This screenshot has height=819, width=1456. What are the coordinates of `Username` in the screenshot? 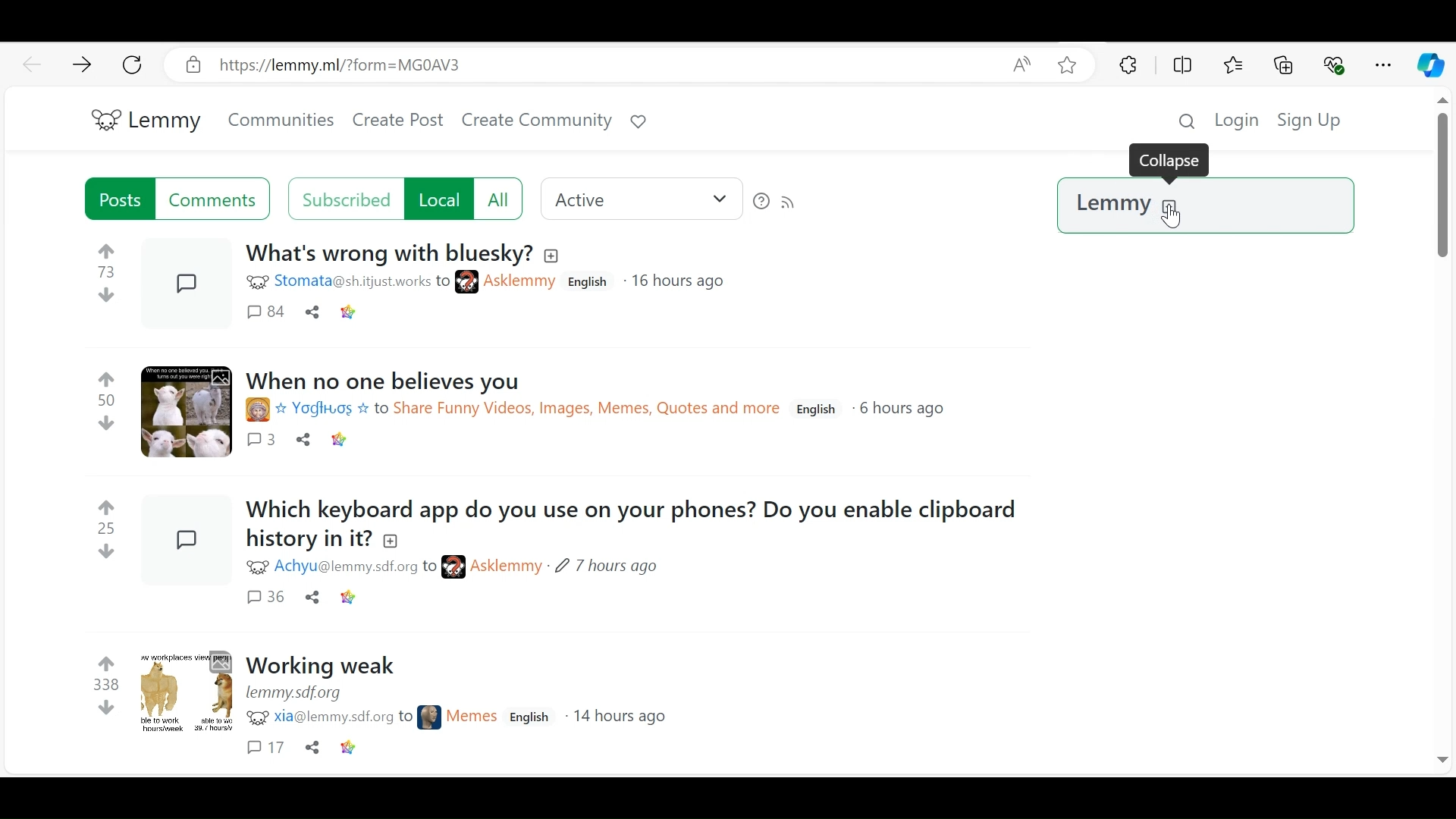 It's located at (518, 283).